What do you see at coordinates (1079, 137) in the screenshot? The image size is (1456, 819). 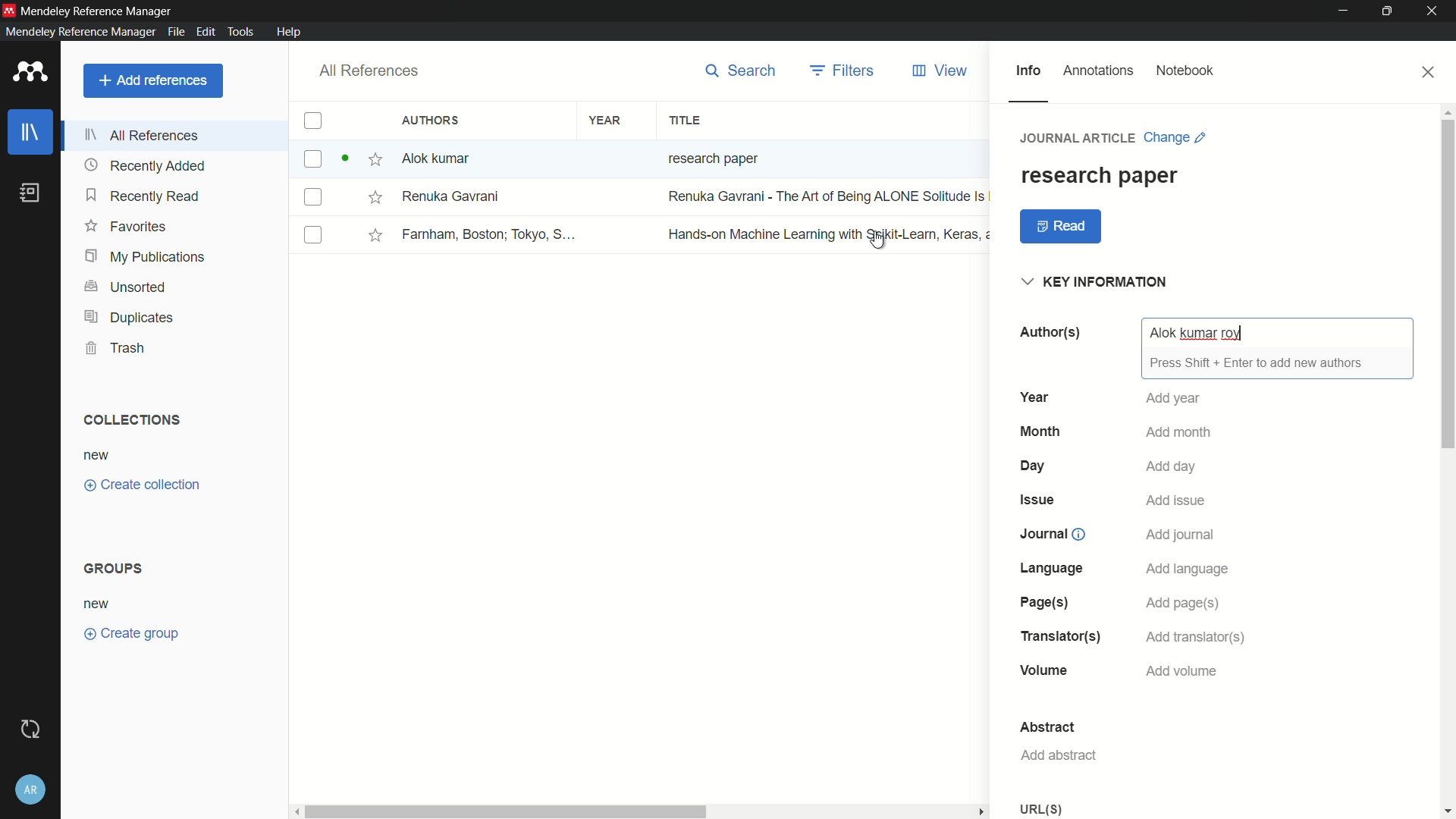 I see `journal article` at bounding box center [1079, 137].